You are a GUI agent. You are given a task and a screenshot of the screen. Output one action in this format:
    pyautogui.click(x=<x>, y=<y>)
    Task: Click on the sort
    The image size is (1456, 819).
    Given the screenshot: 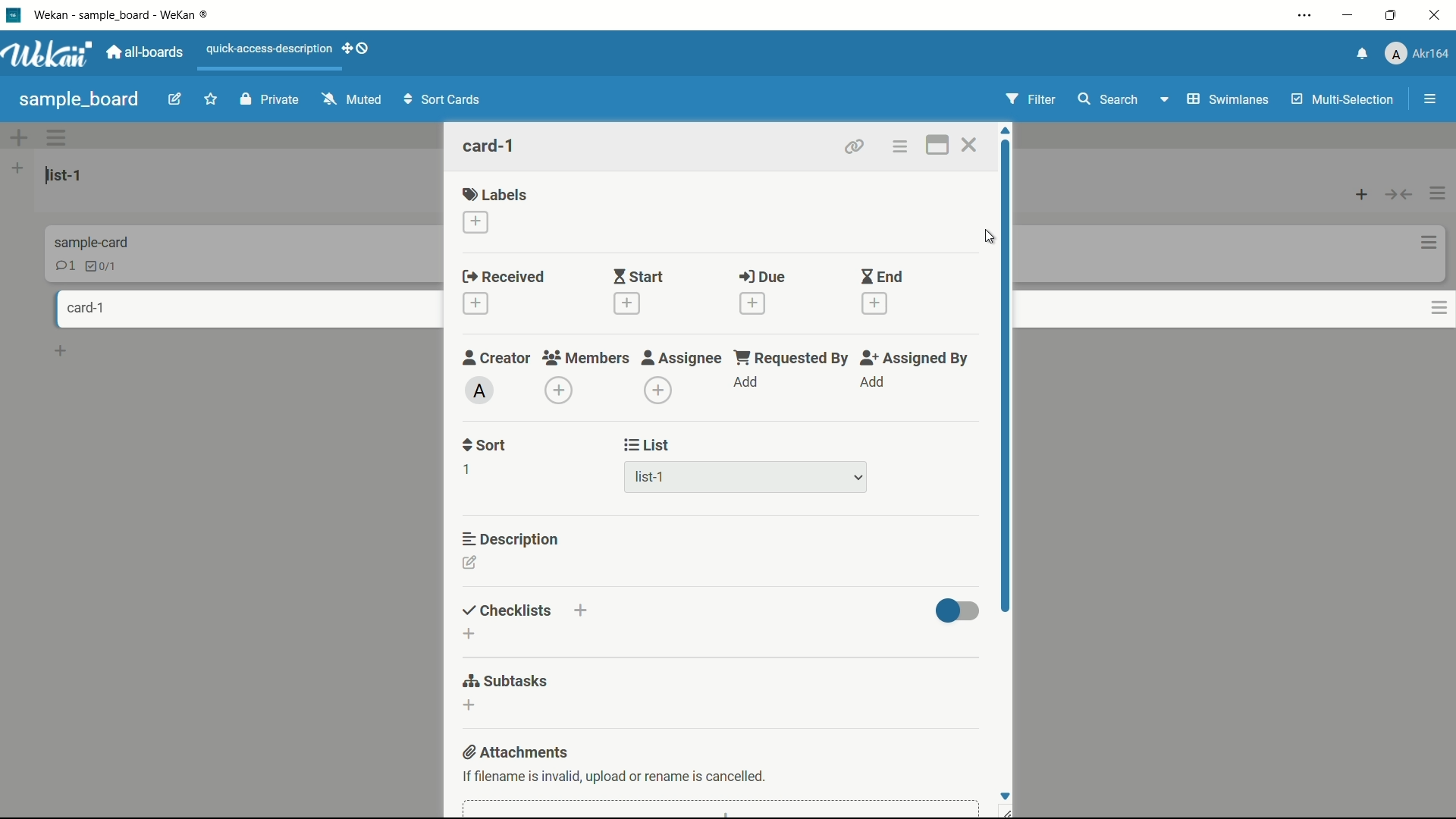 What is the action you would take?
    pyautogui.click(x=486, y=447)
    